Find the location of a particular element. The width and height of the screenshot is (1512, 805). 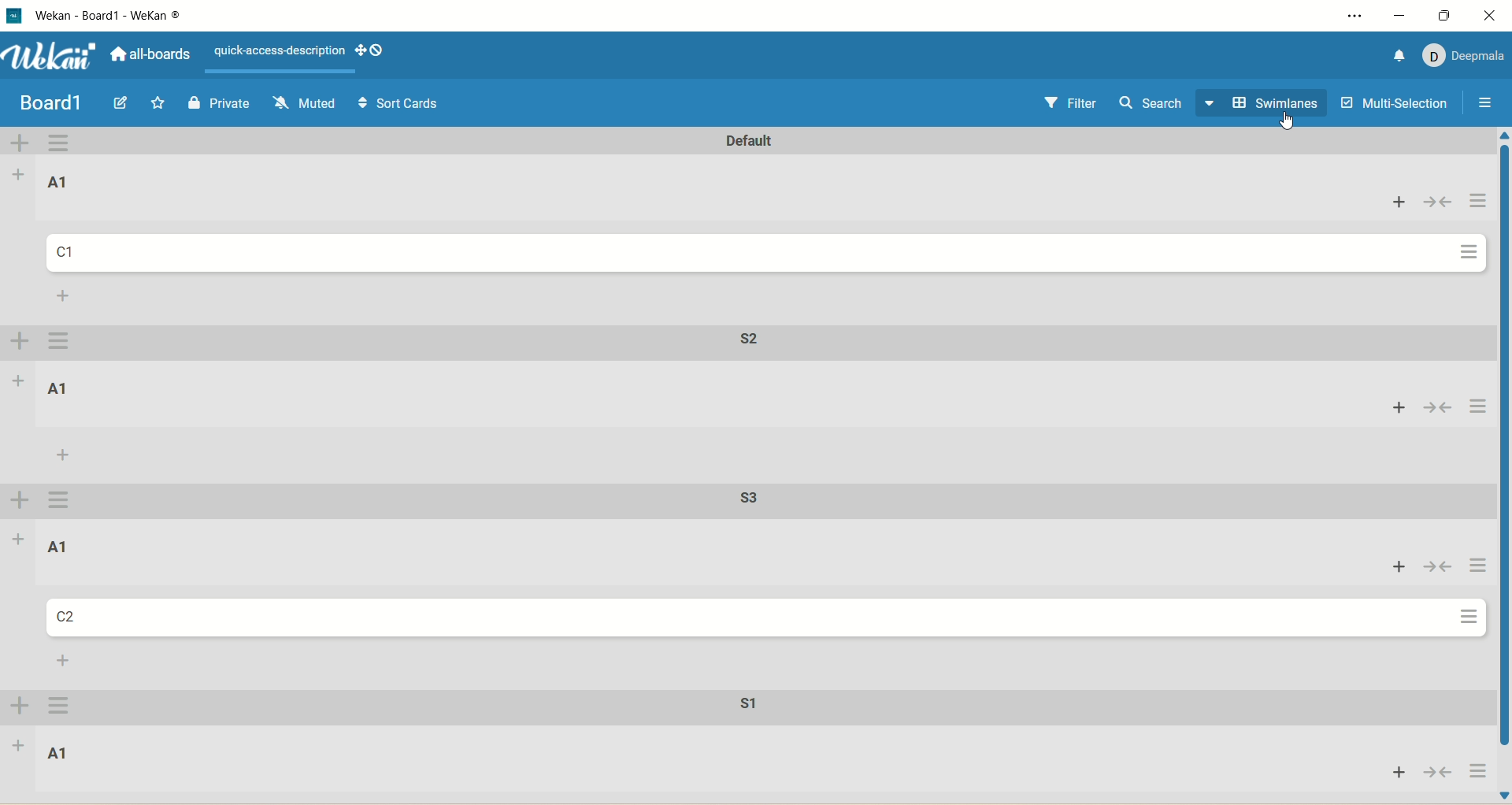

all boards is located at coordinates (155, 58).